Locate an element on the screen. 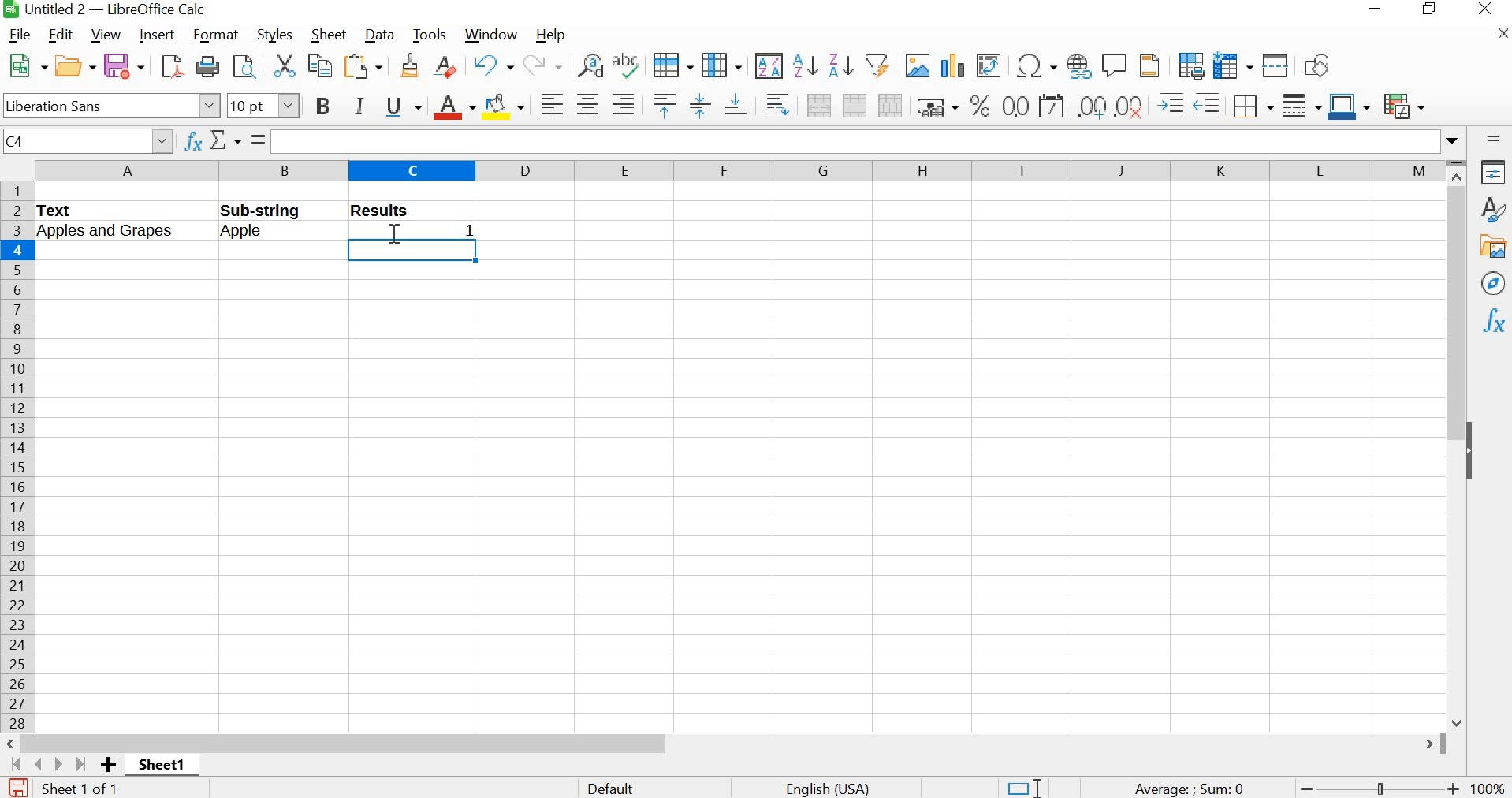  gallery is located at coordinates (1492, 247).